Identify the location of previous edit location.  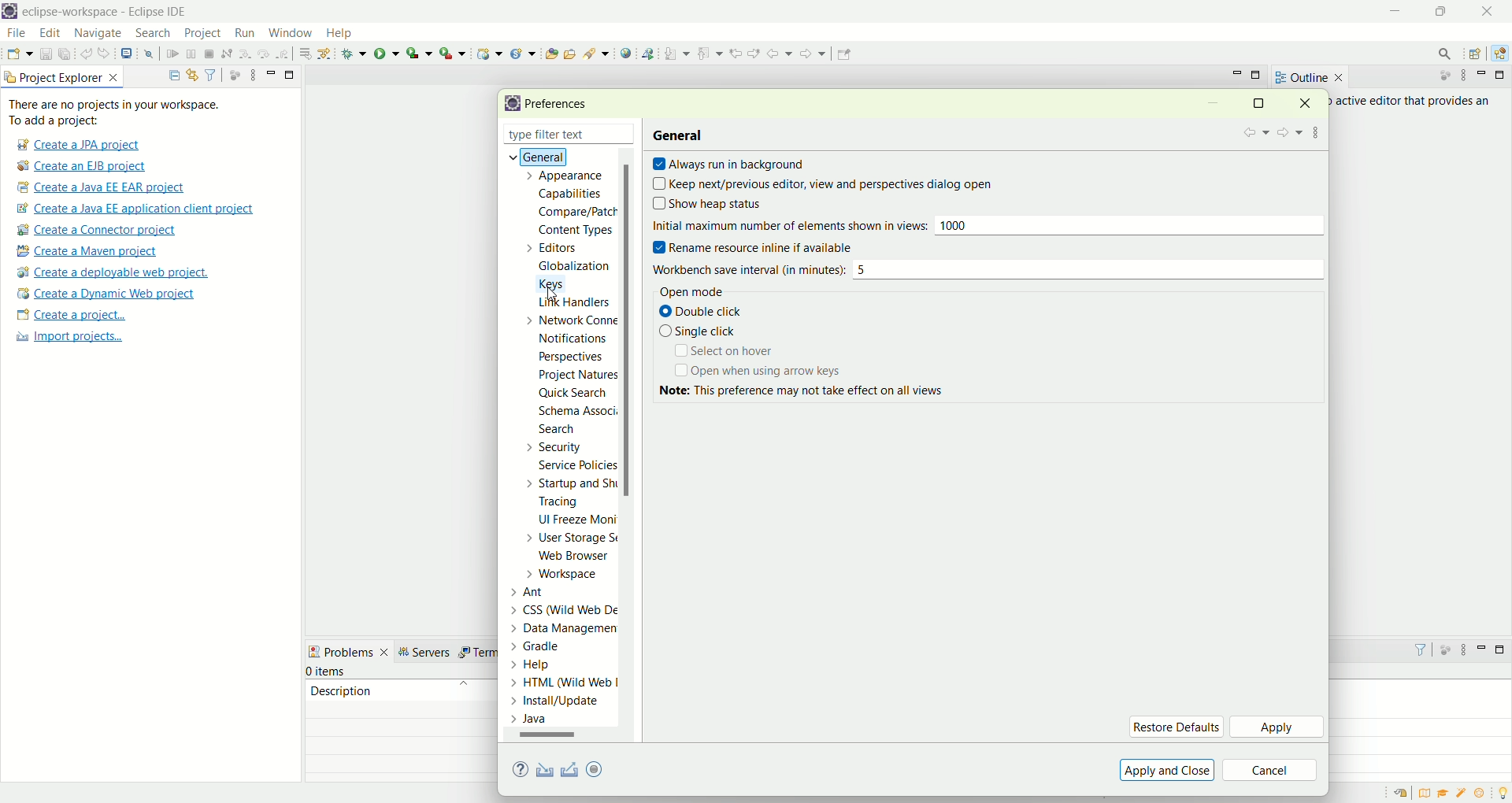
(739, 54).